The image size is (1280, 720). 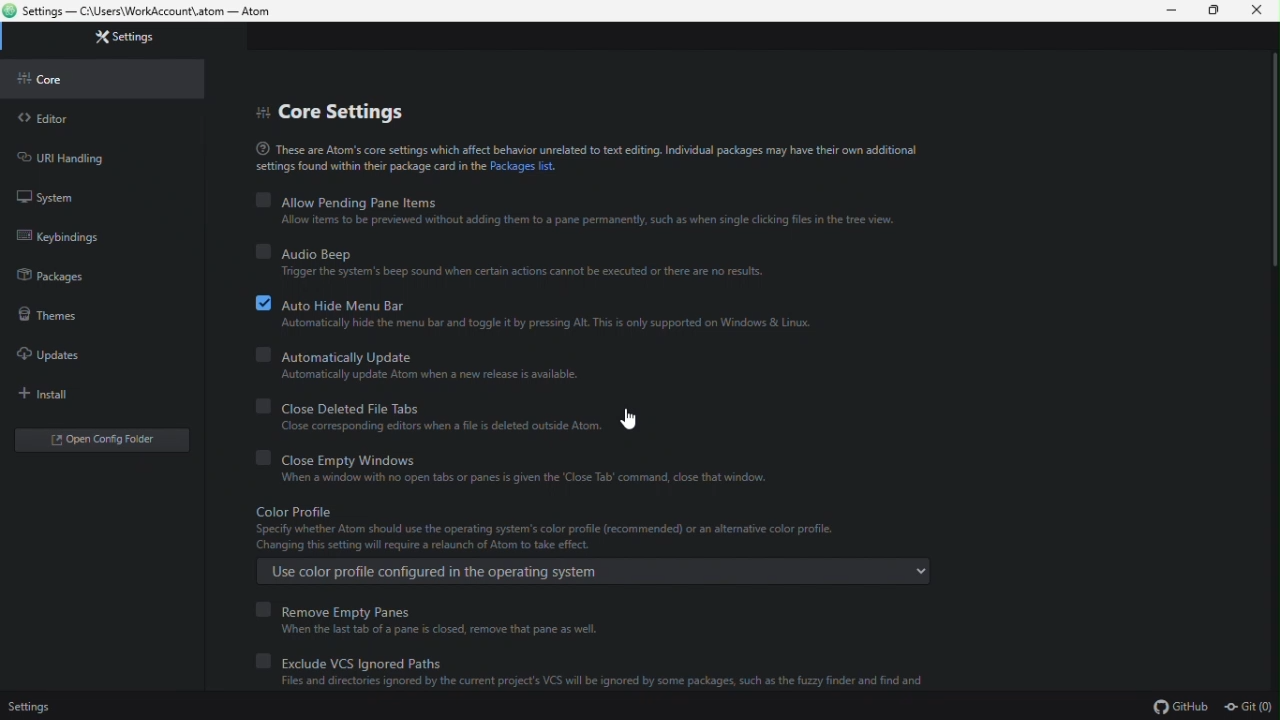 What do you see at coordinates (1249, 708) in the screenshot?
I see `git` at bounding box center [1249, 708].